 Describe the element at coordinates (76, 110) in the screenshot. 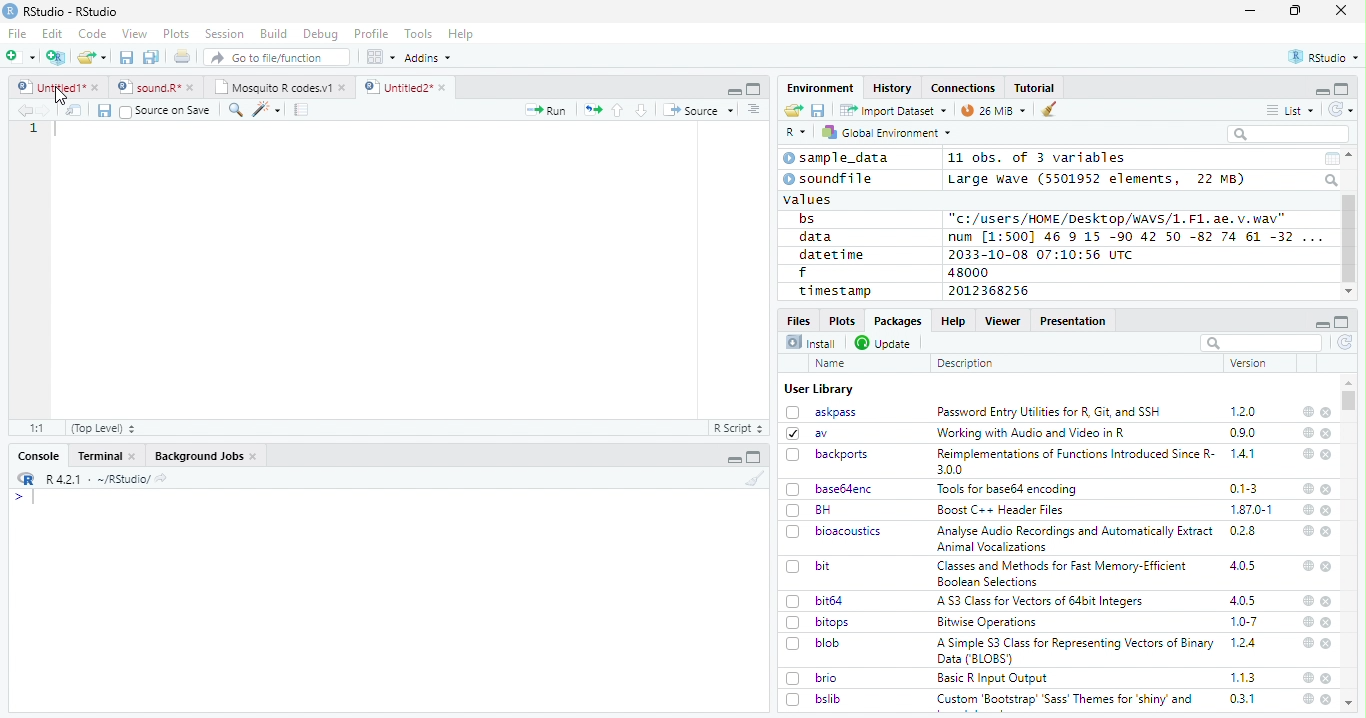

I see `Show in new window` at that location.